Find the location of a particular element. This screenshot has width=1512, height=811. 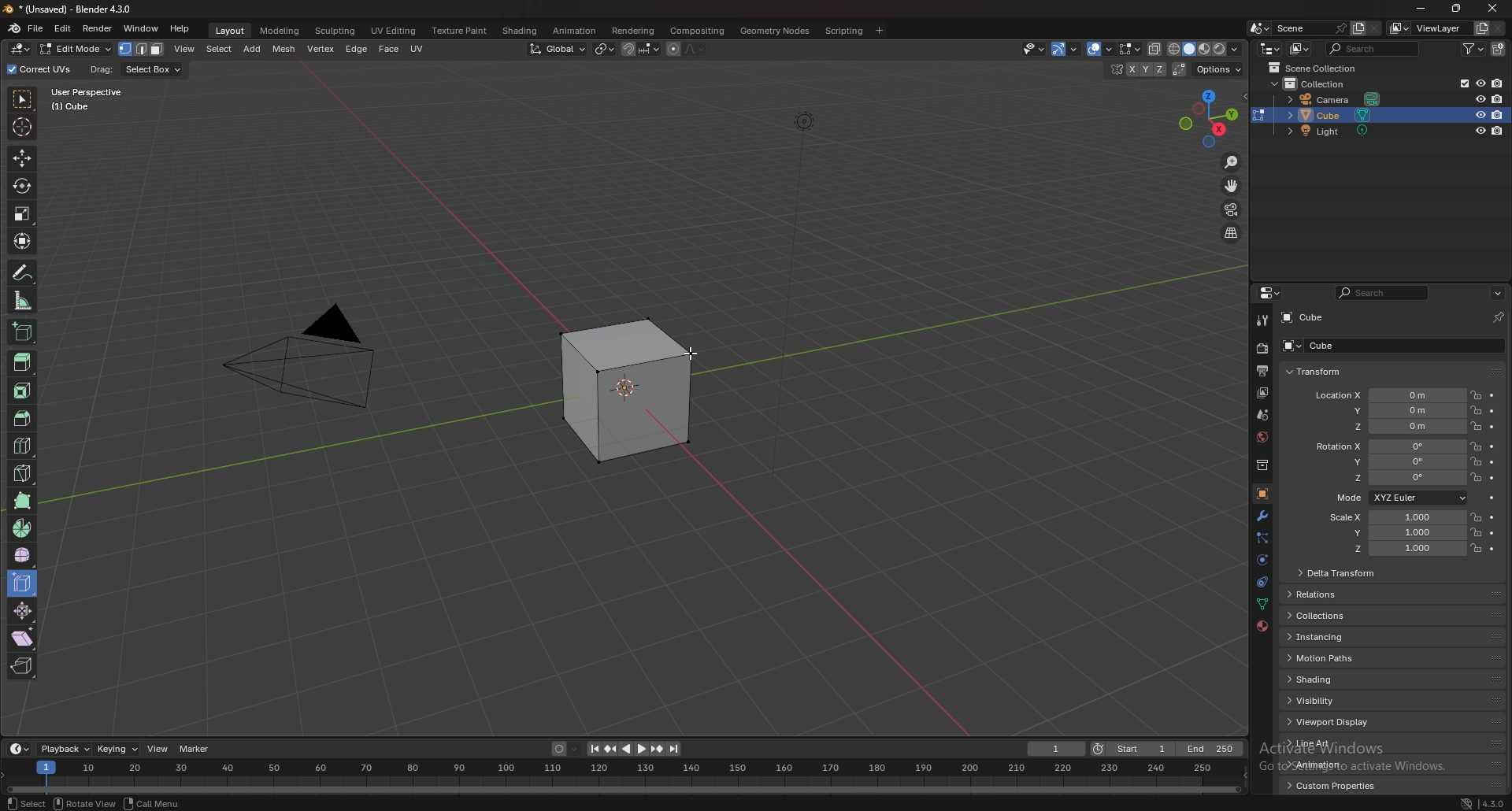

search is located at coordinates (1373, 48).